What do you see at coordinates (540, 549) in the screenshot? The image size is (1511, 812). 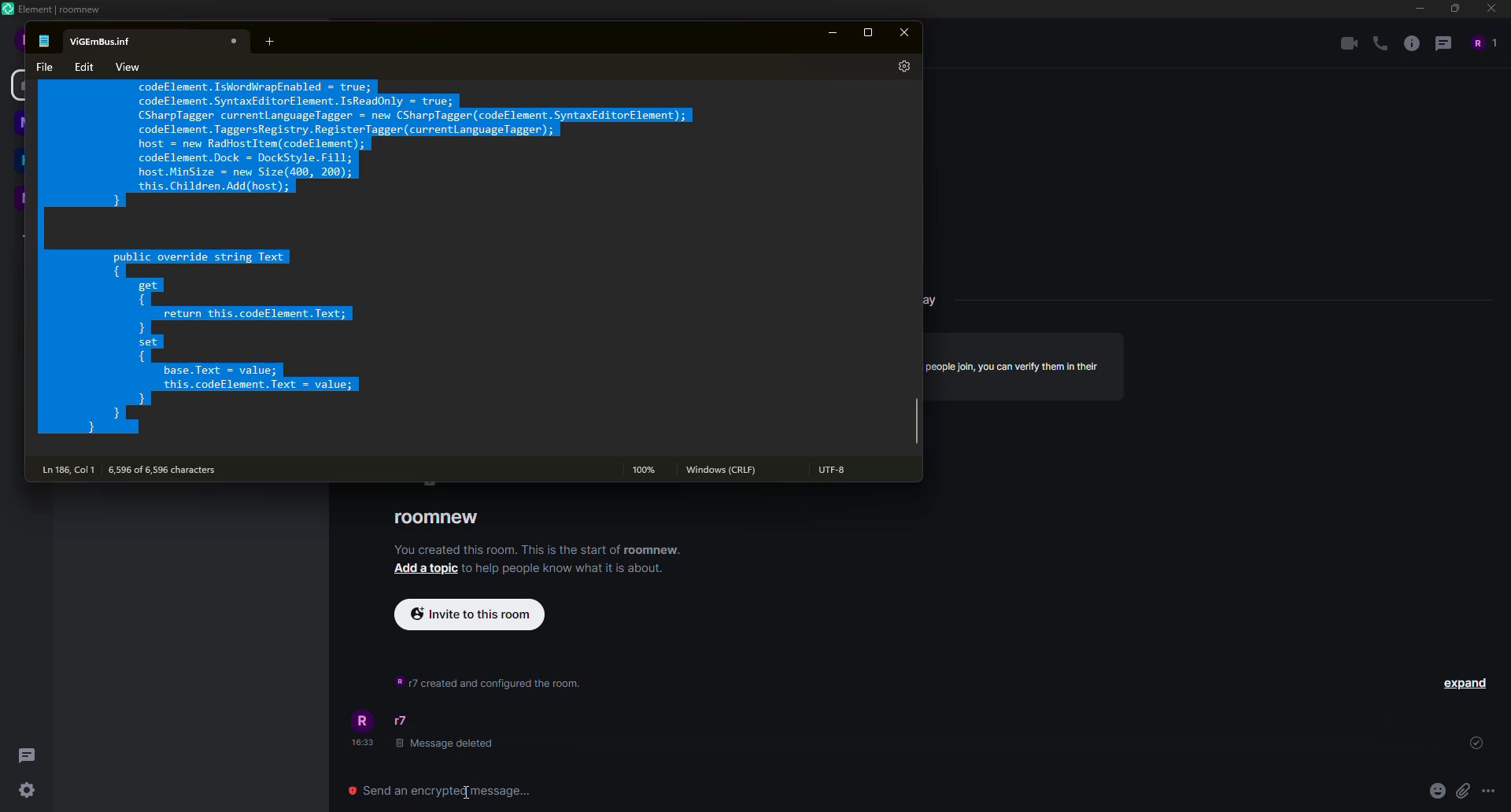 I see `info` at bounding box center [540, 549].